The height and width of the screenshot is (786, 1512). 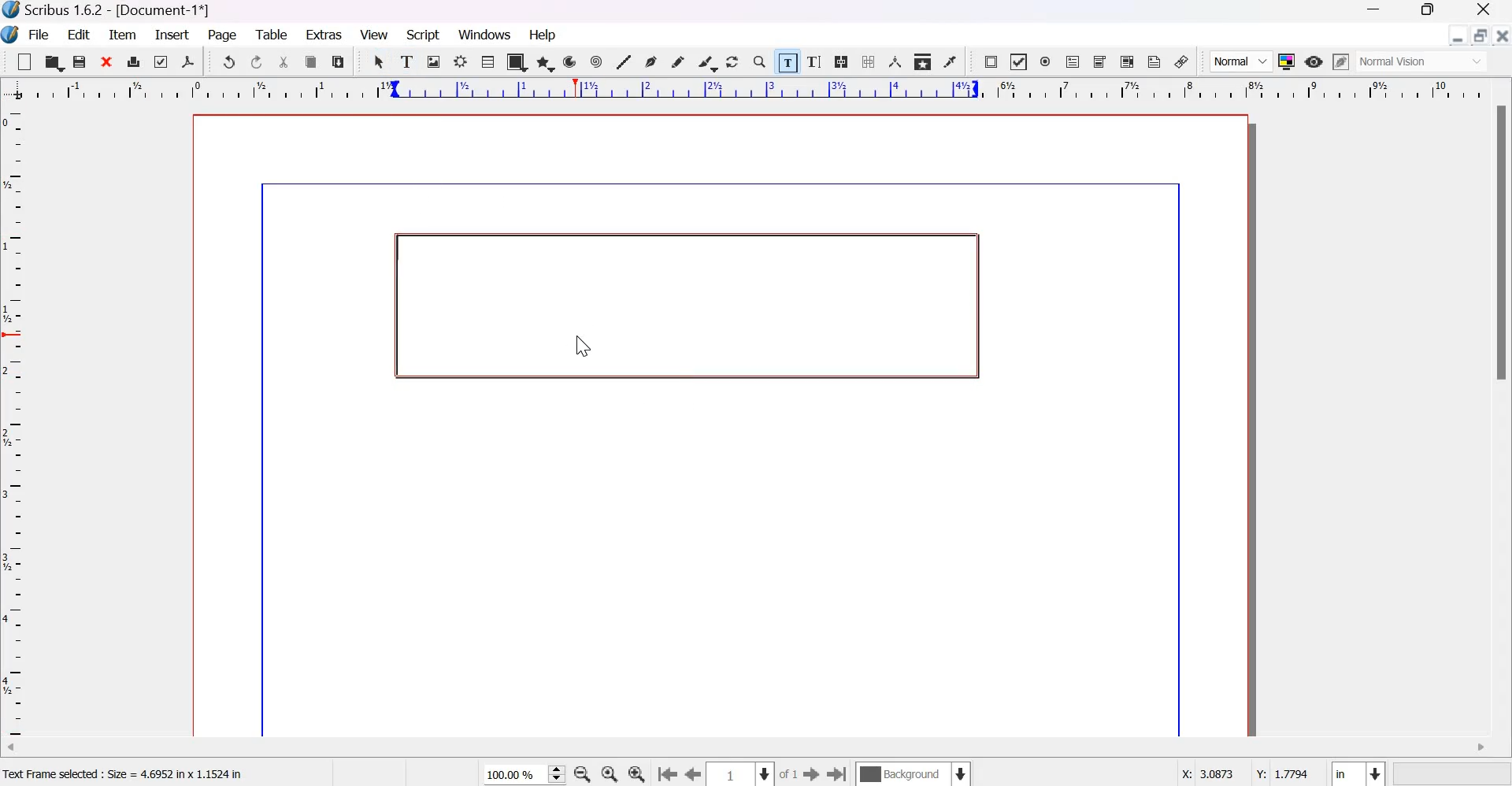 What do you see at coordinates (374, 35) in the screenshot?
I see `View` at bounding box center [374, 35].